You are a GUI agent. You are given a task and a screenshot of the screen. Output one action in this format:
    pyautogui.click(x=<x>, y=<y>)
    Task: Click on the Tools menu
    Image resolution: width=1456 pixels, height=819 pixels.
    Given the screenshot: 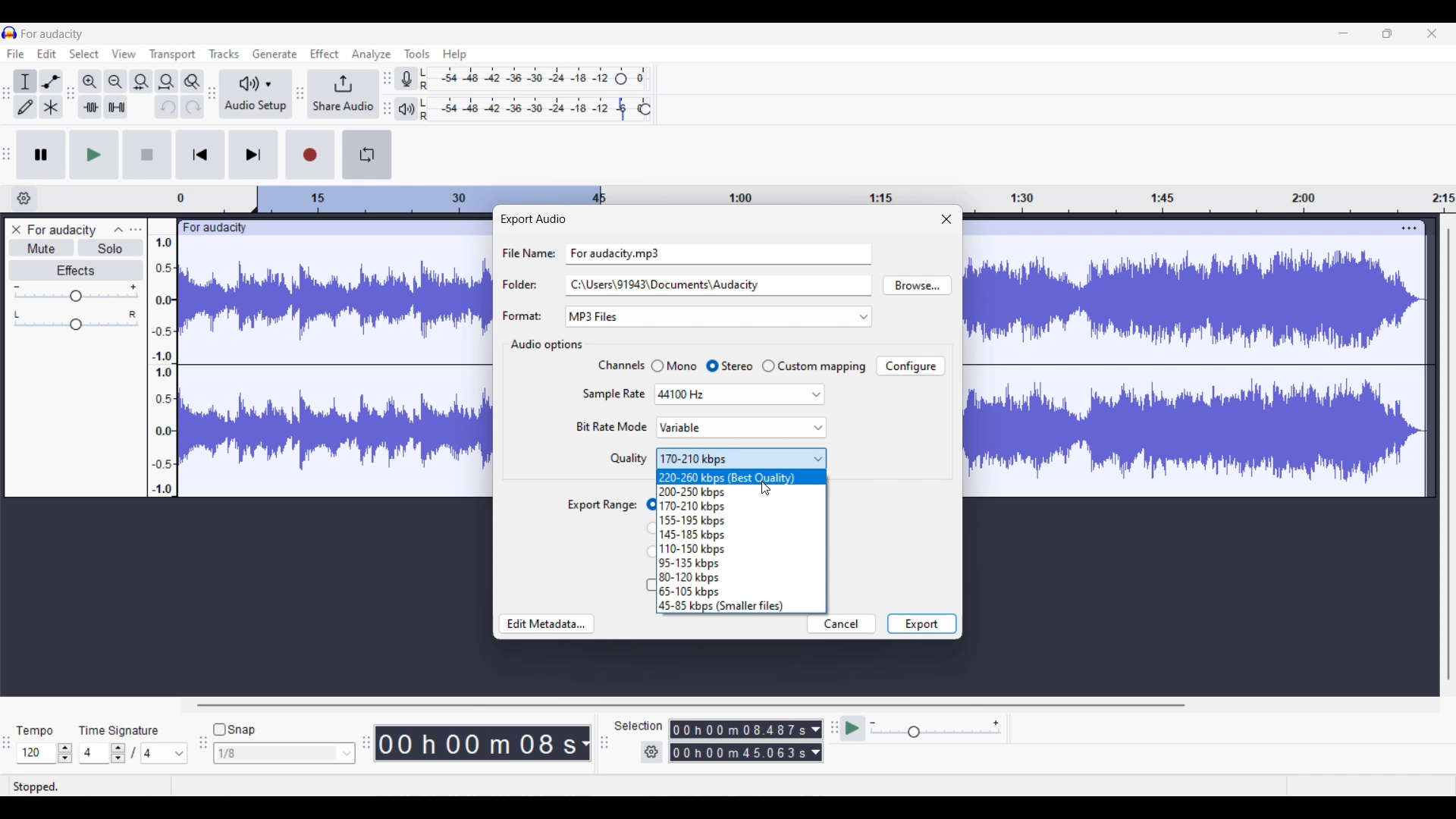 What is the action you would take?
    pyautogui.click(x=417, y=54)
    